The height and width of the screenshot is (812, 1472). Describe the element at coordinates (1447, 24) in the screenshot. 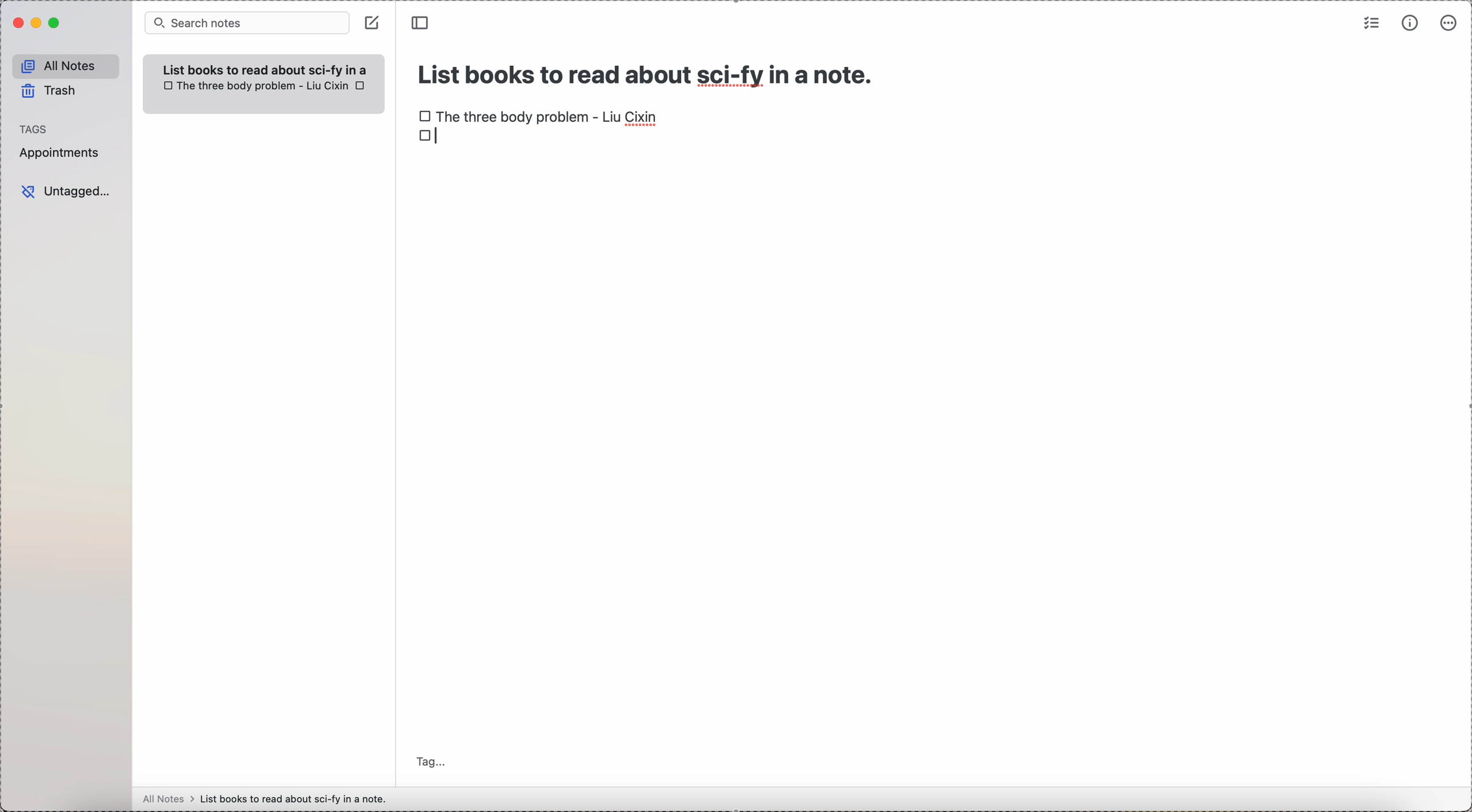

I see `more options` at that location.